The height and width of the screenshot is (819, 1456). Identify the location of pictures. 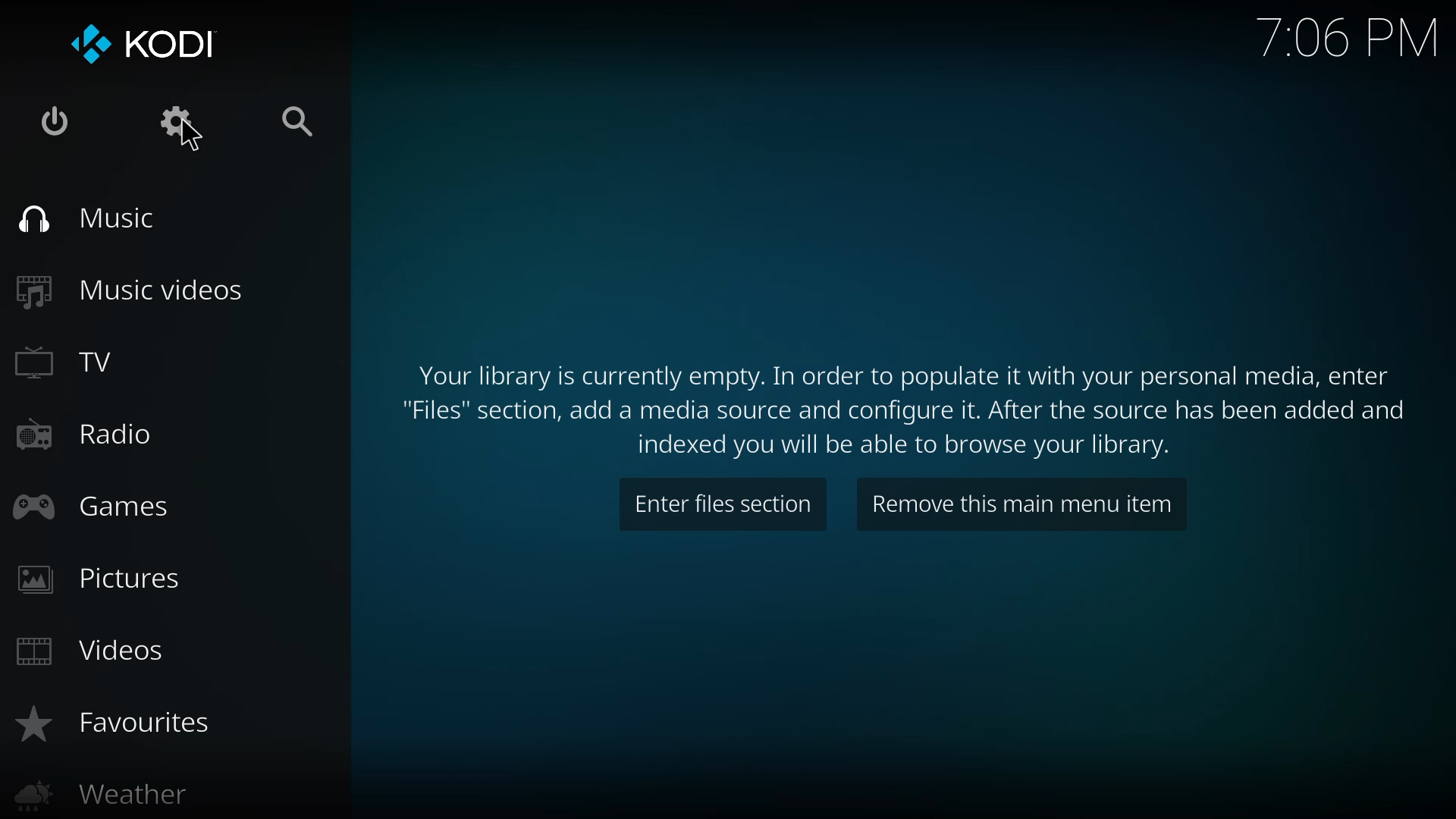
(102, 579).